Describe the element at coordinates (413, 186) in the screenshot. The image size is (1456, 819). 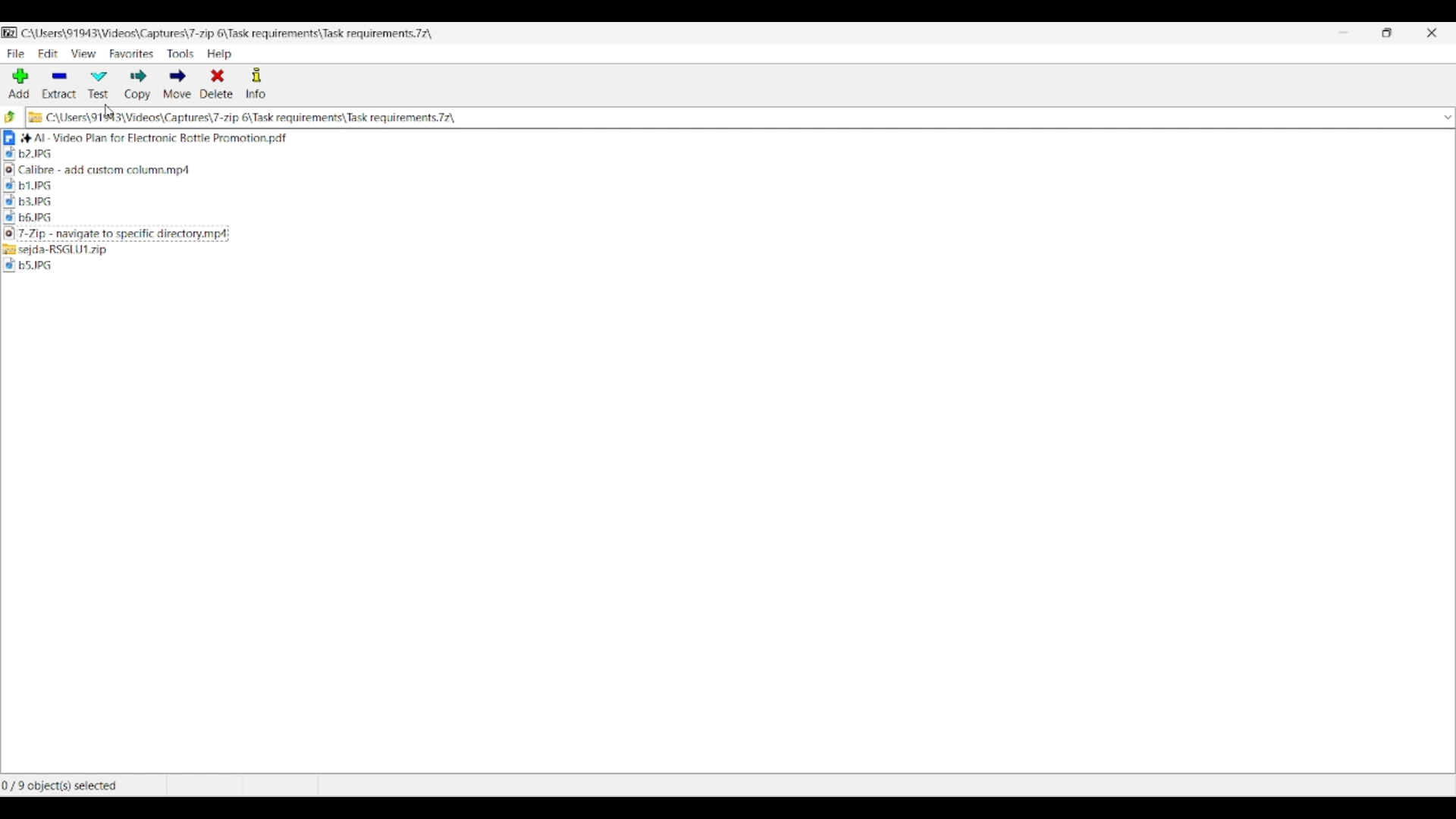
I see `file 4 and type` at that location.